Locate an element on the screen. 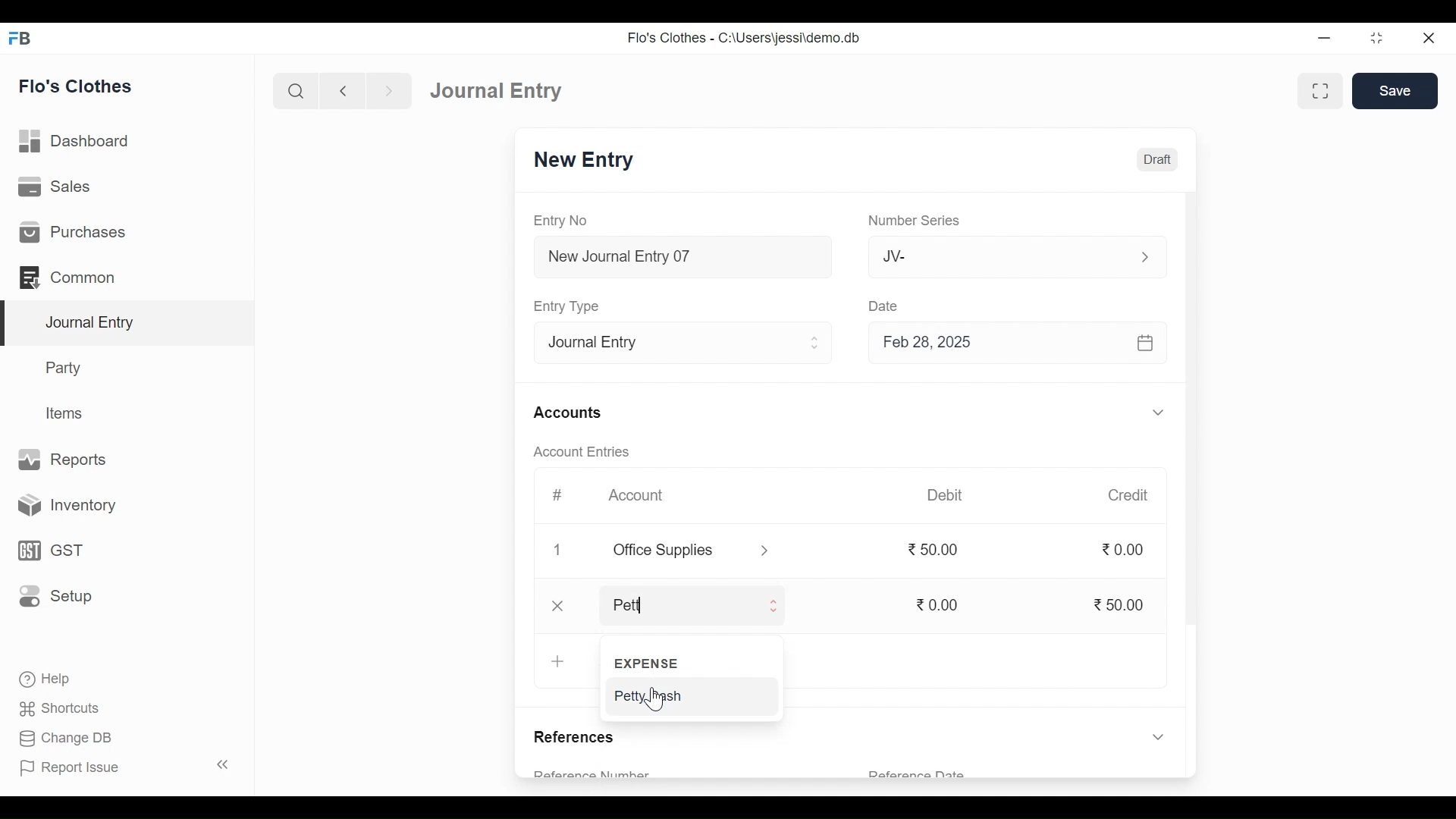  Date is located at coordinates (888, 307).